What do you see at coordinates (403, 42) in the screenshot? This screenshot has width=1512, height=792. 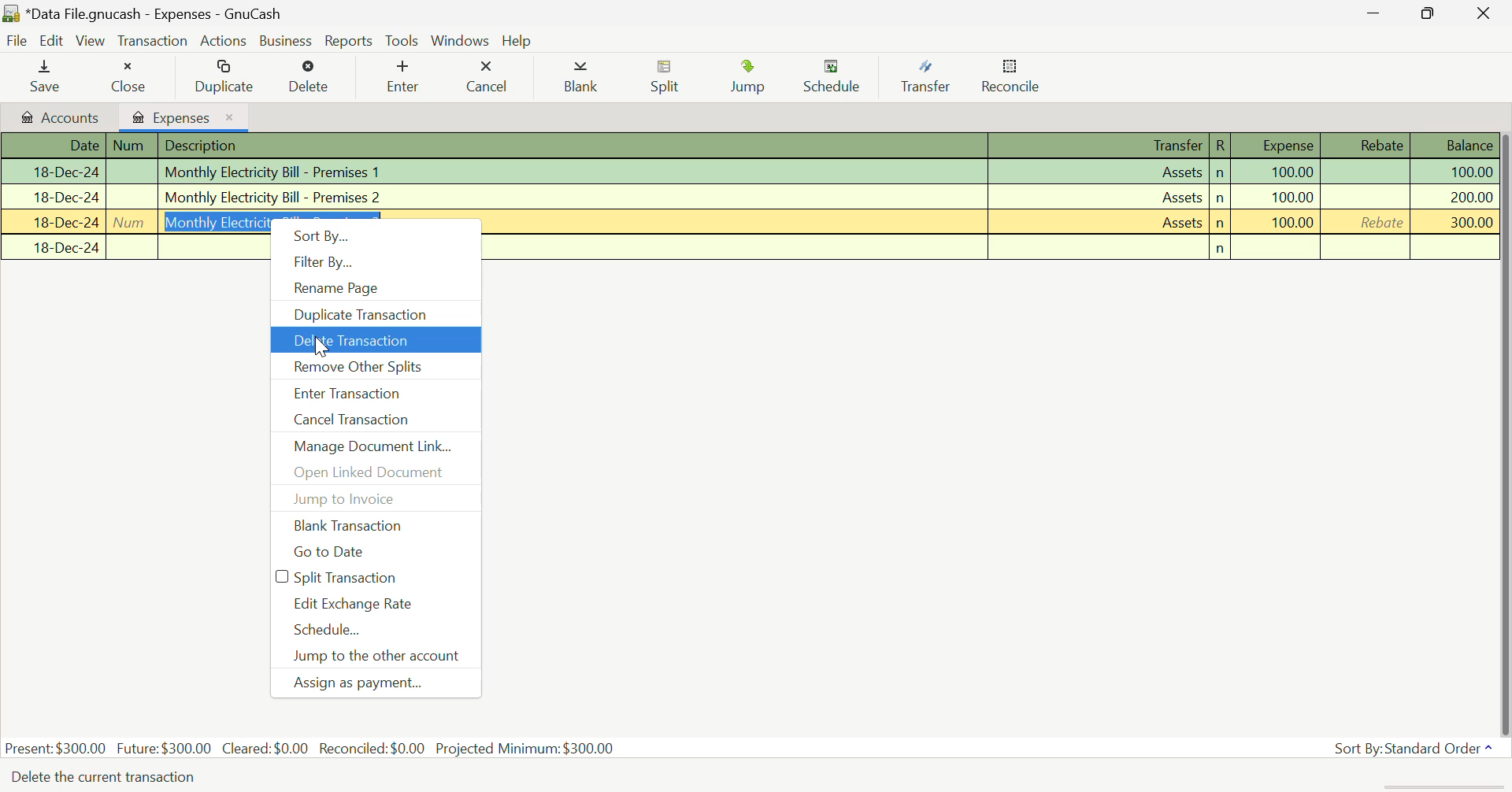 I see `Tools` at bounding box center [403, 42].